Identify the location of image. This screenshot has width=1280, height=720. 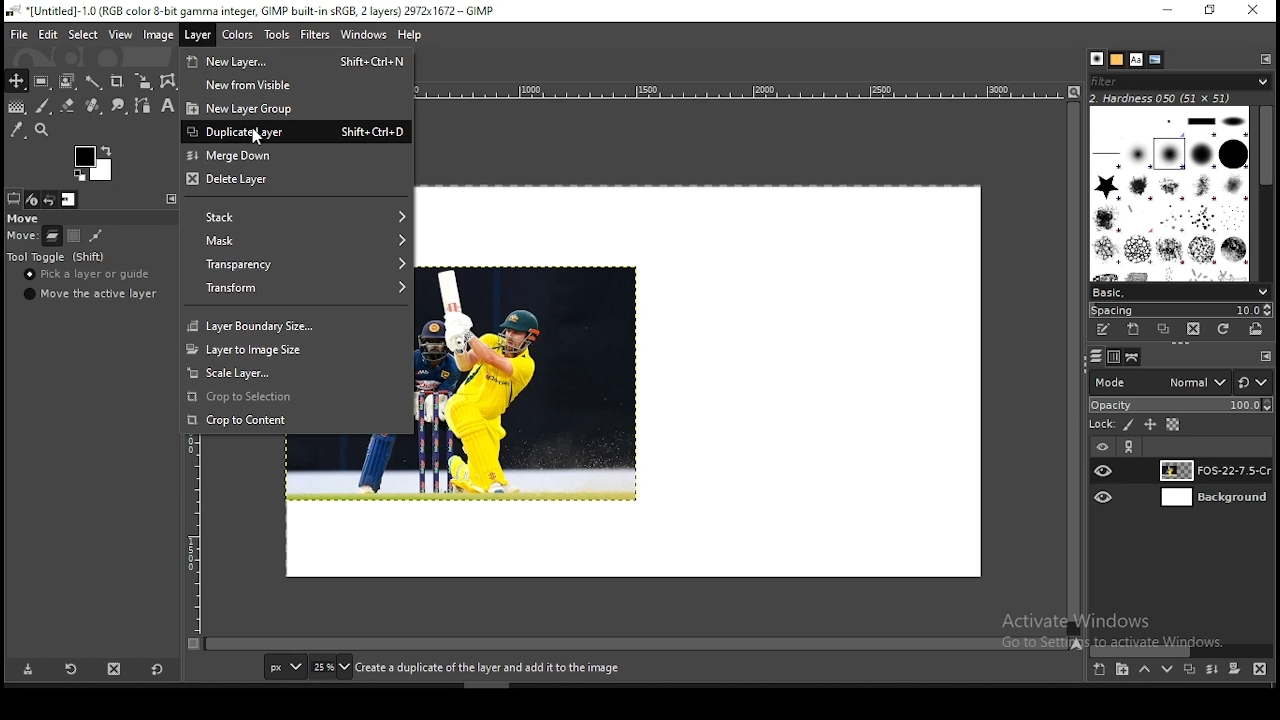
(159, 34).